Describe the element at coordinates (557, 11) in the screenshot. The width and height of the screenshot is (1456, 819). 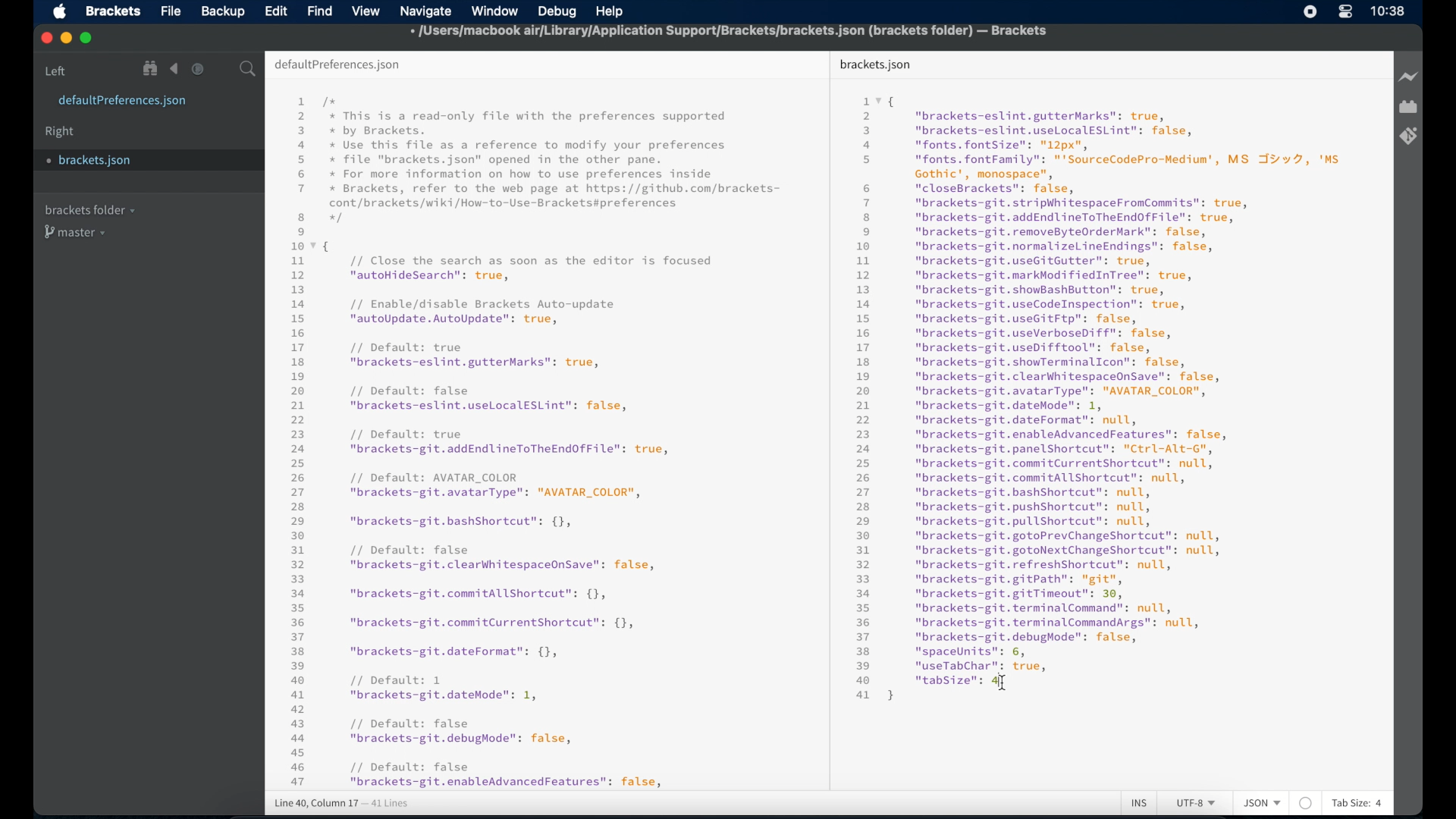
I see `debug` at that location.